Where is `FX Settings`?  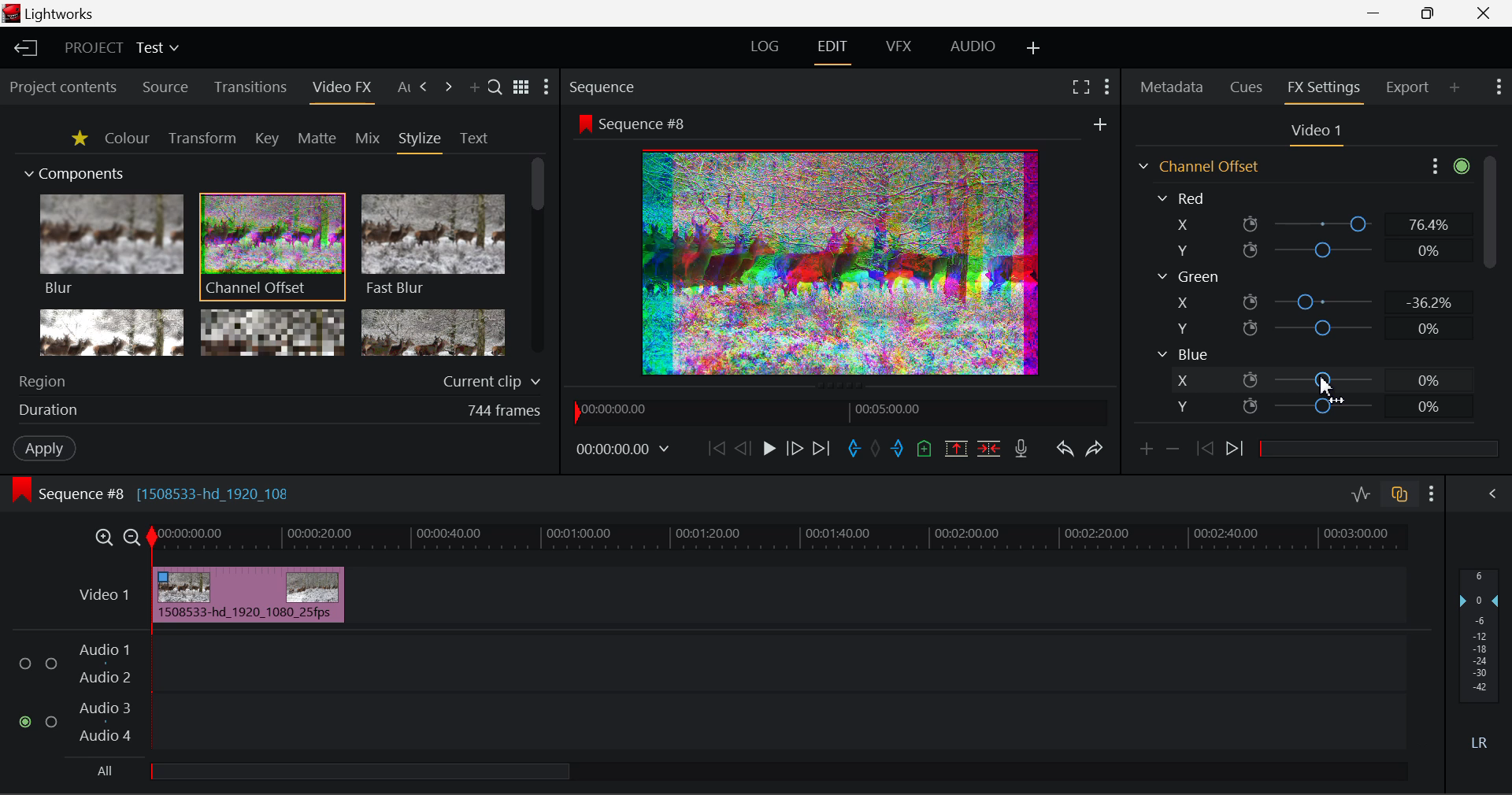
FX Settings is located at coordinates (1325, 89).